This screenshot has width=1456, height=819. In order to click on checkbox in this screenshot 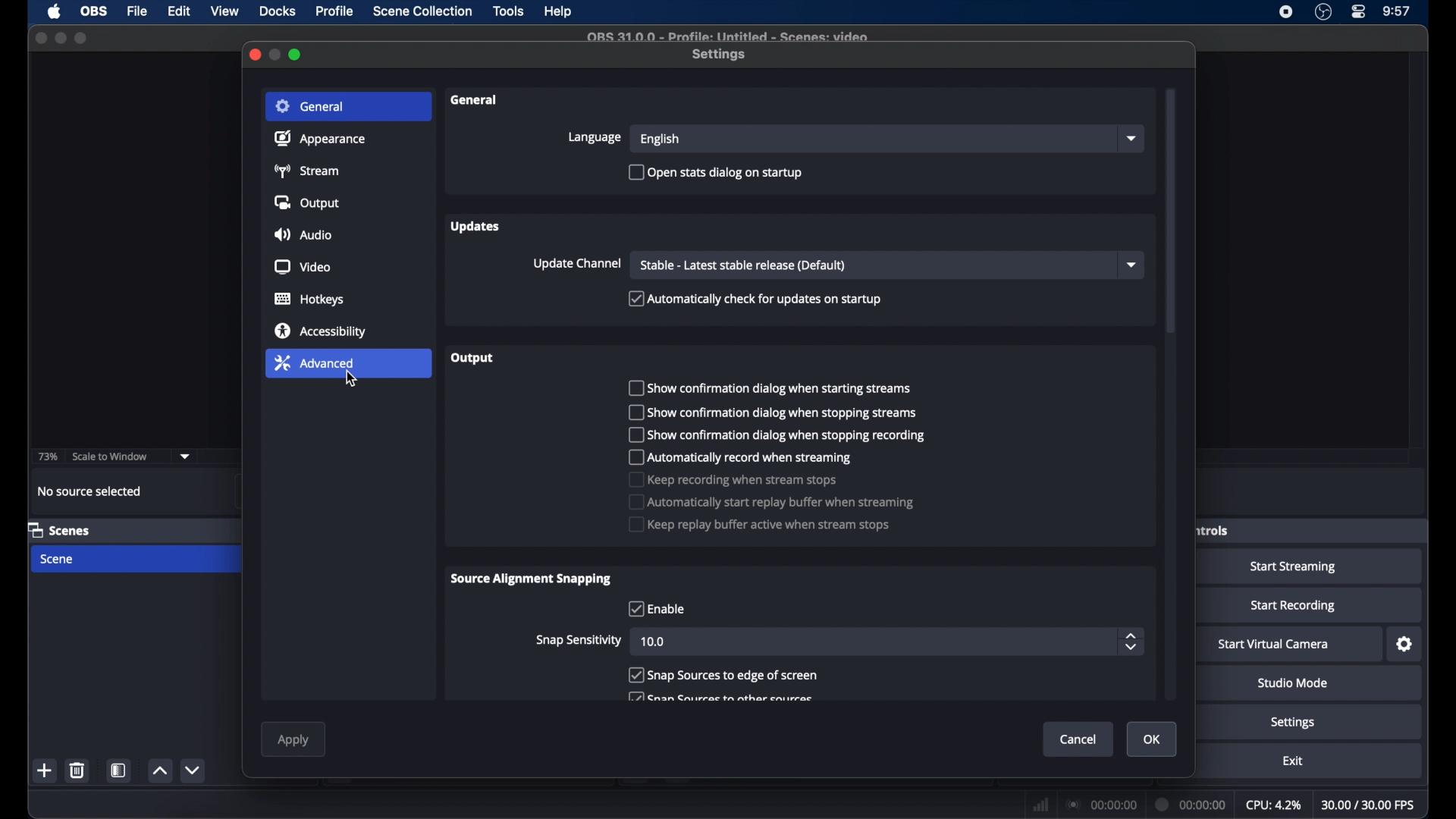, I will do `click(777, 435)`.